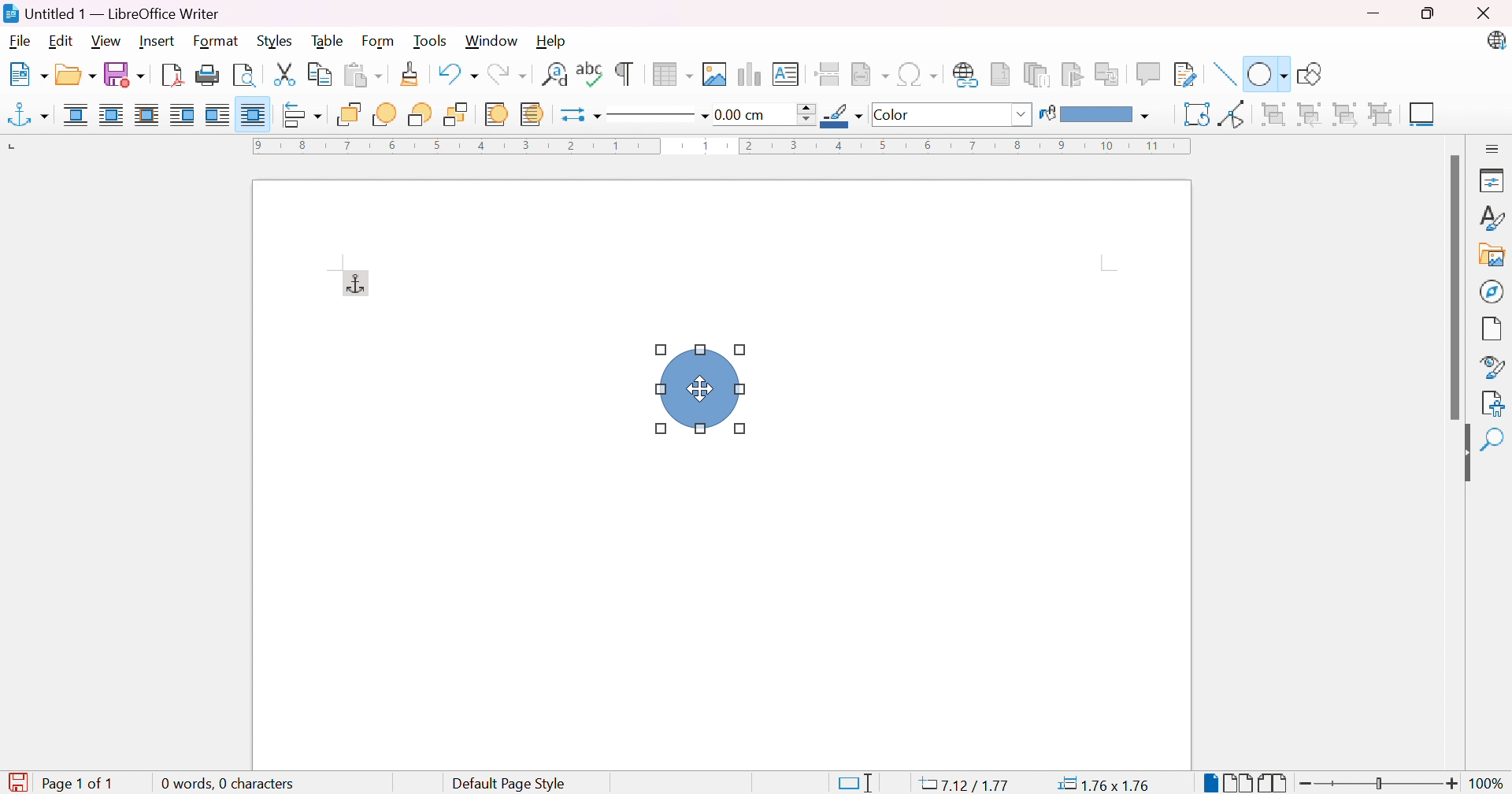 The width and height of the screenshot is (1512, 794). Describe the element at coordinates (1492, 441) in the screenshot. I see `Accessibility check` at that location.